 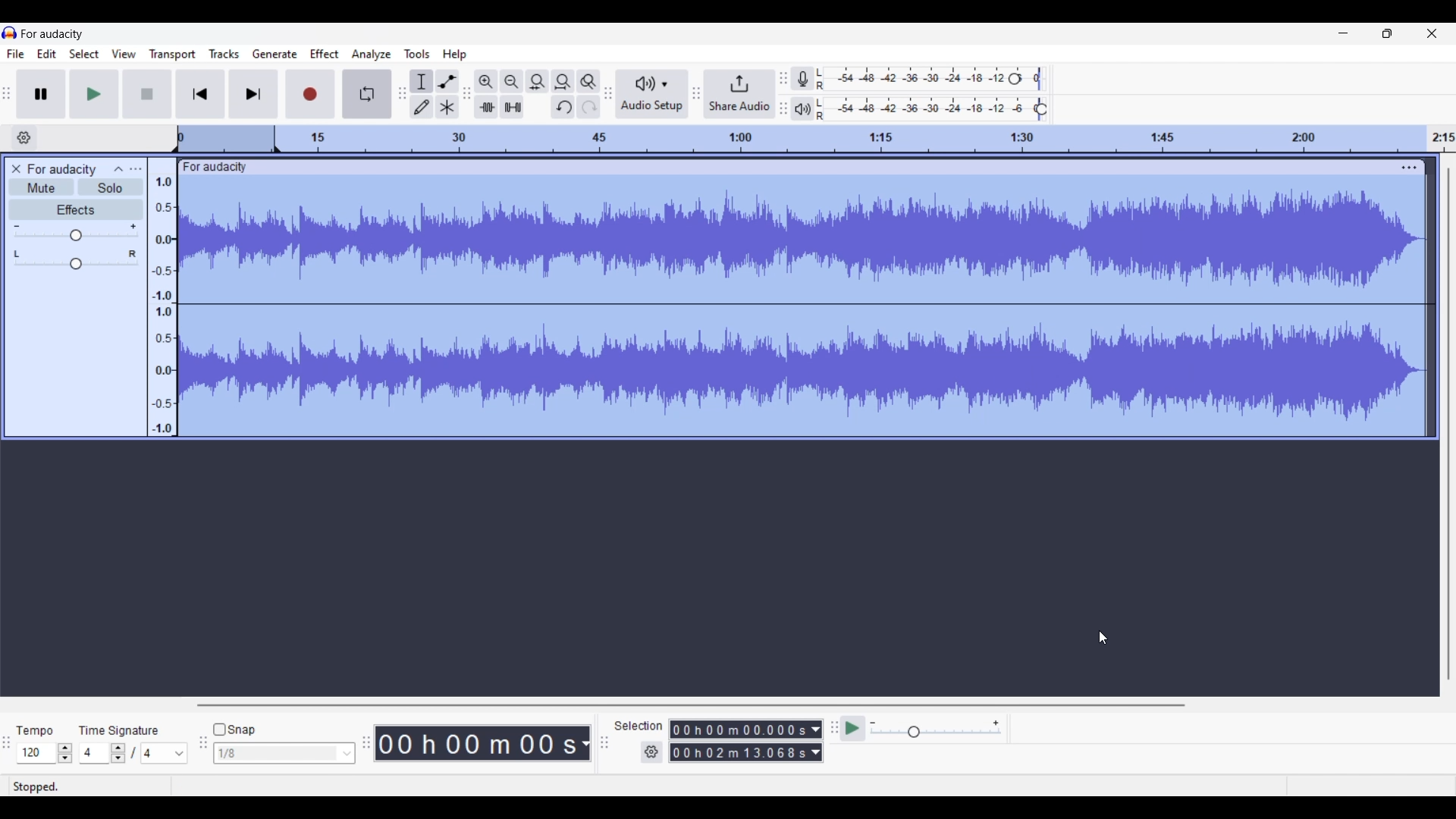 I want to click on Zoom in, so click(x=486, y=81).